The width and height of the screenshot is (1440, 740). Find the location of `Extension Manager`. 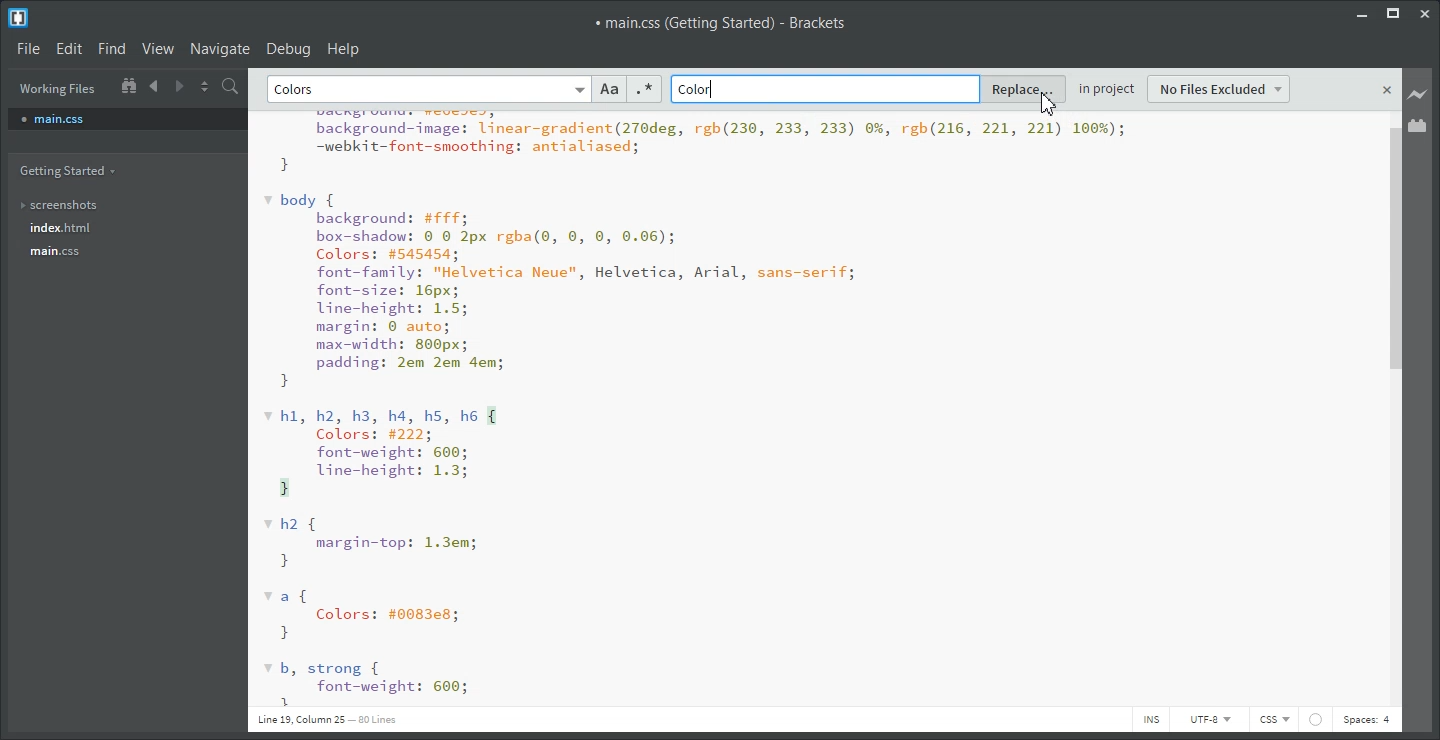

Extension Manager is located at coordinates (1418, 125).